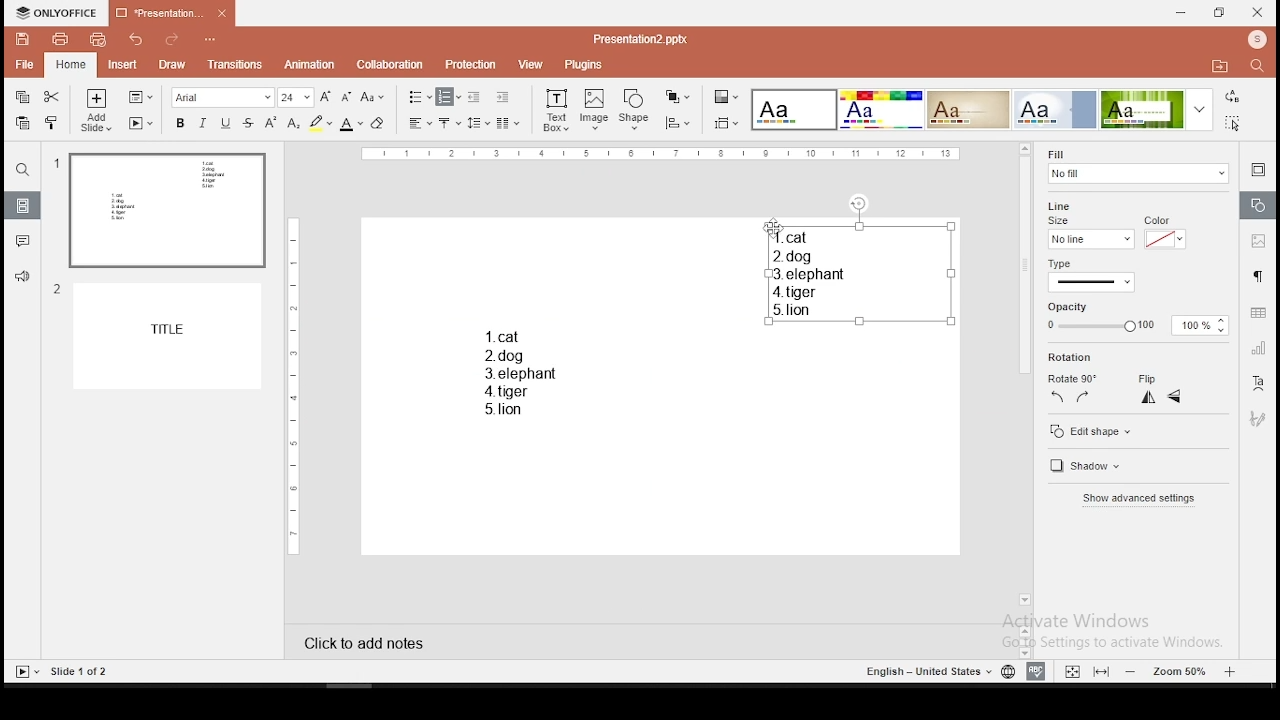 This screenshot has width=1280, height=720. I want to click on text art tool, so click(1260, 386).